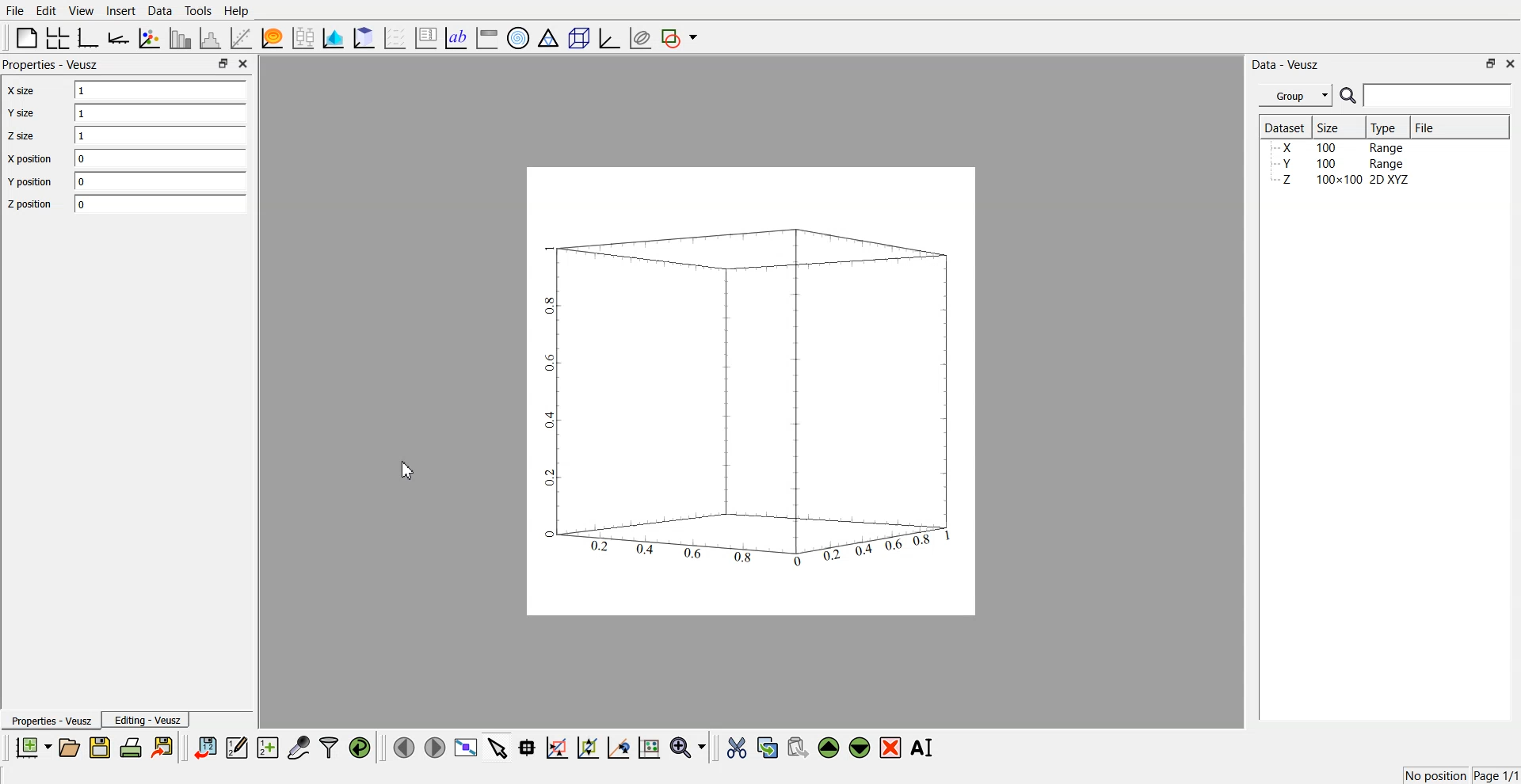  Describe the element at coordinates (29, 181) in the screenshot. I see `Y position` at that location.